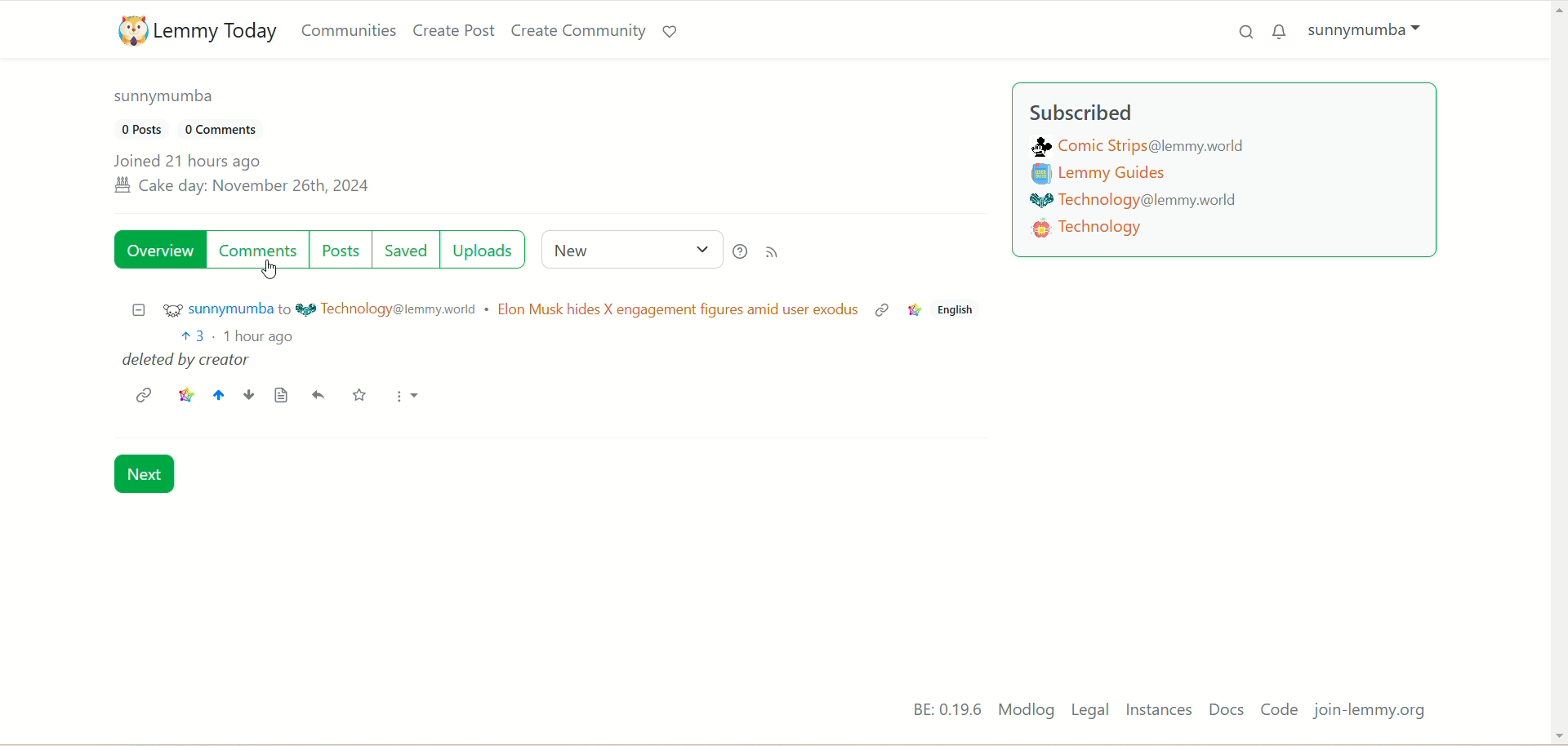 The image size is (1568, 746). What do you see at coordinates (452, 31) in the screenshot?
I see `create post` at bounding box center [452, 31].